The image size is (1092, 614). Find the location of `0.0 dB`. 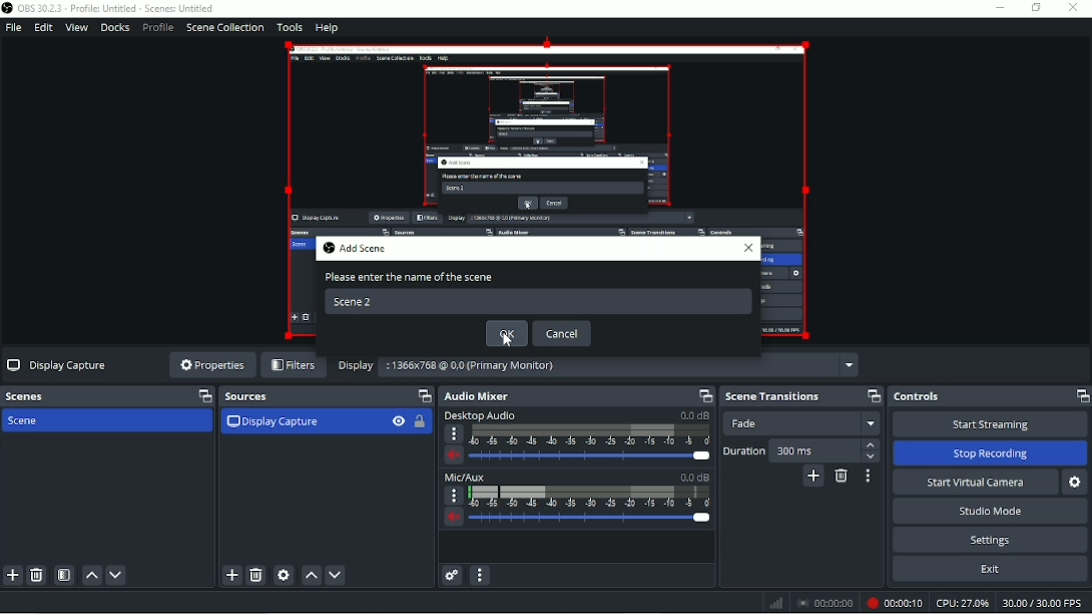

0.0 dB is located at coordinates (694, 415).